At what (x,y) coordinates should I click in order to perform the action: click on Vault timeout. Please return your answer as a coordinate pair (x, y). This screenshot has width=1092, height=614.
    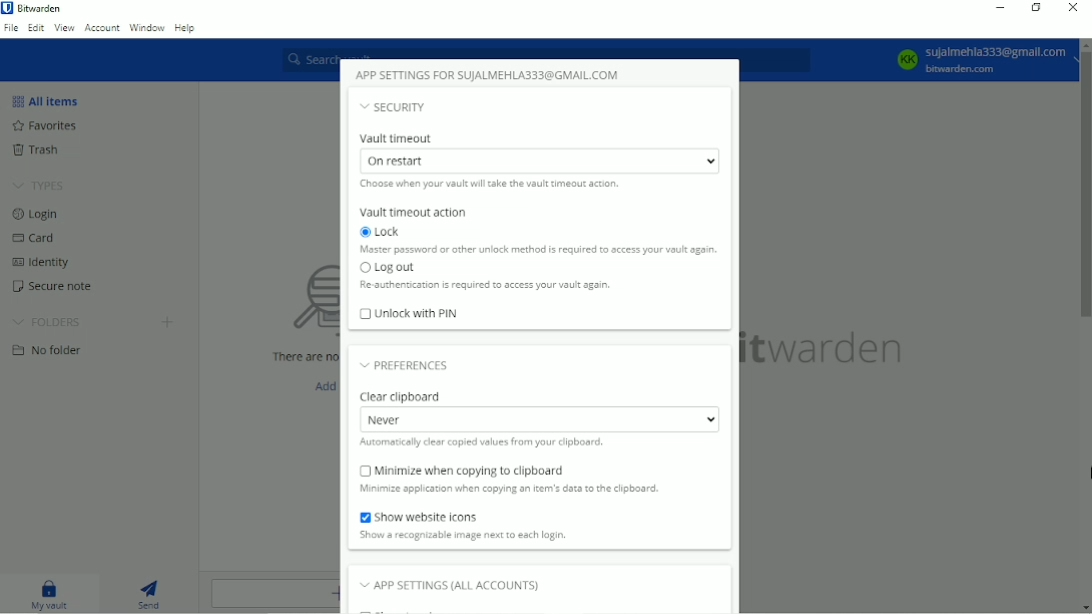
    Looking at the image, I should click on (400, 136).